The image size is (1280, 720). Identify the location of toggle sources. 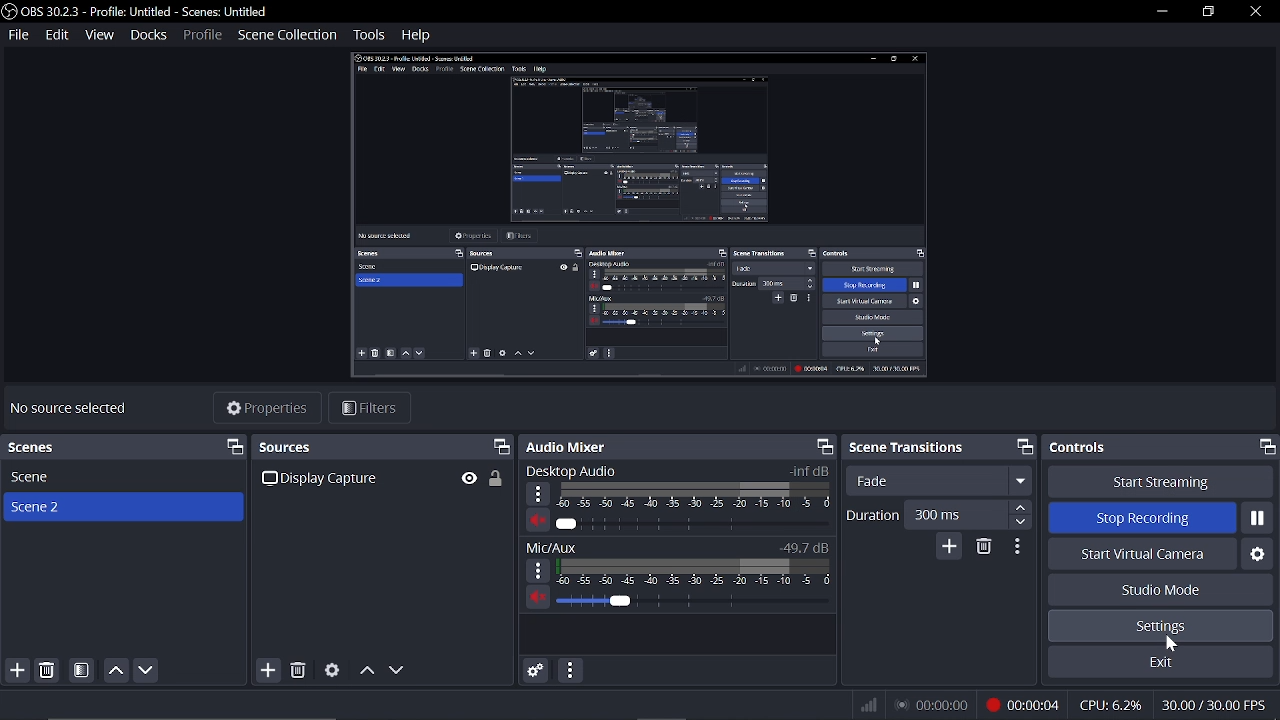
(501, 447).